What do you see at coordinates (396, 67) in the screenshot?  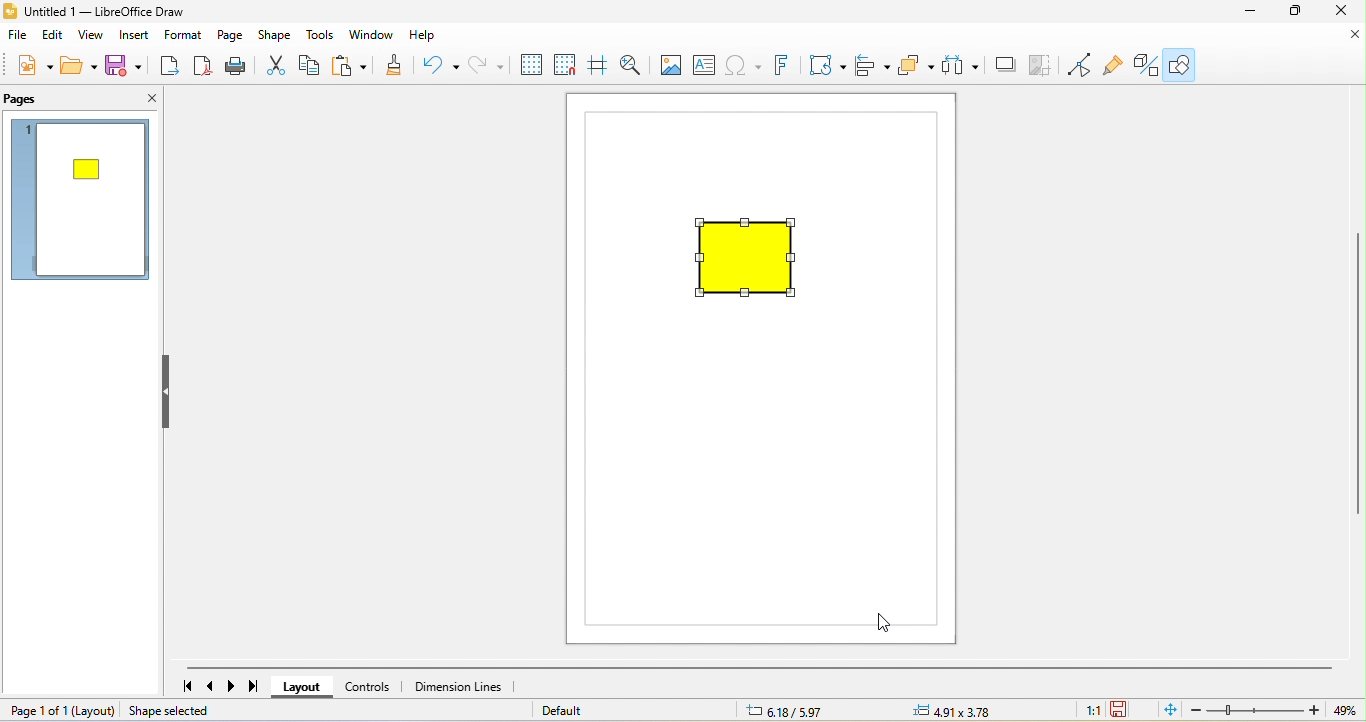 I see `clone formatting` at bounding box center [396, 67].